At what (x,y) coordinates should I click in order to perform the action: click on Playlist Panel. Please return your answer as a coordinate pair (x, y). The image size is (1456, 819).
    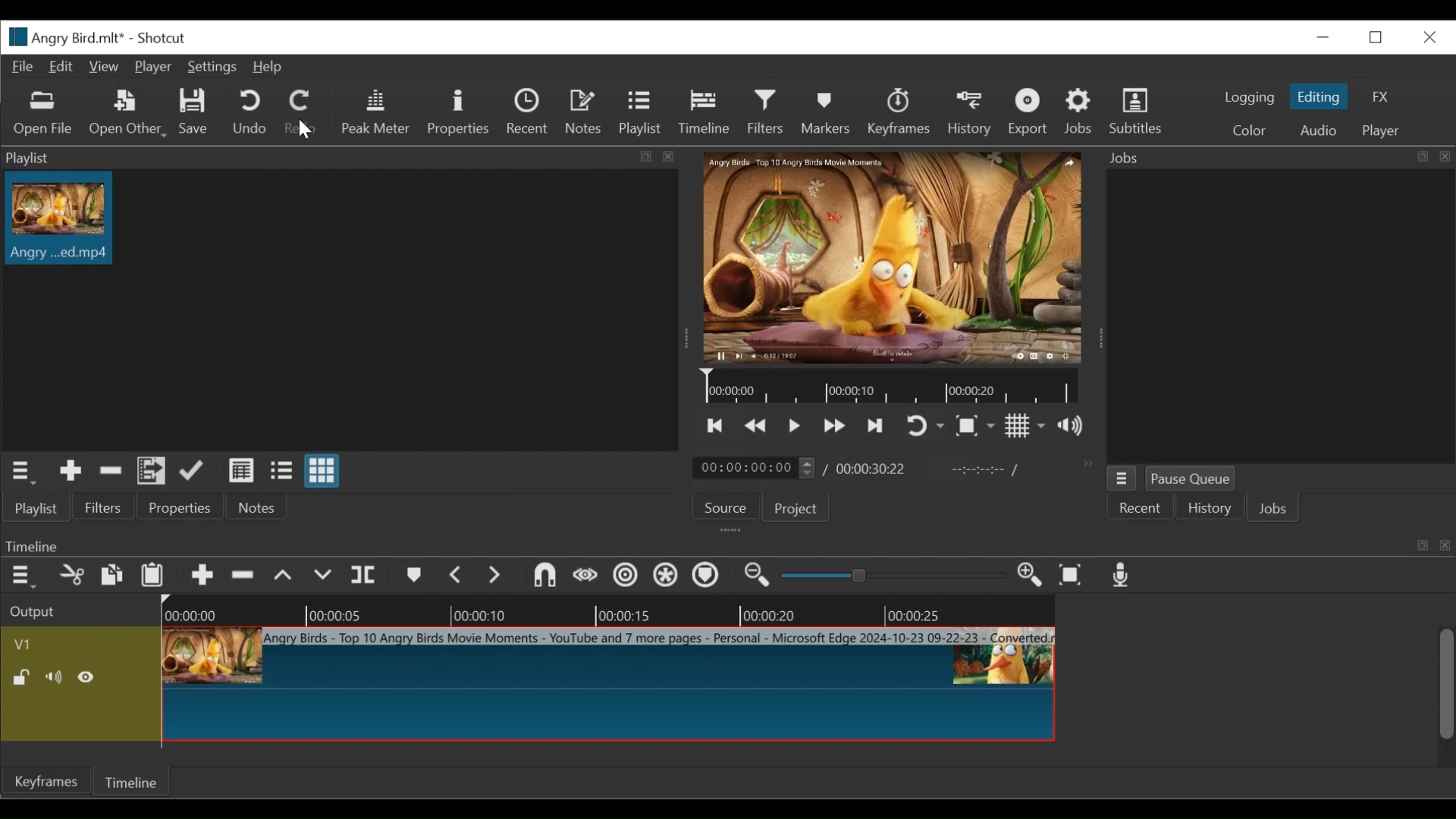
    Looking at the image, I should click on (343, 157).